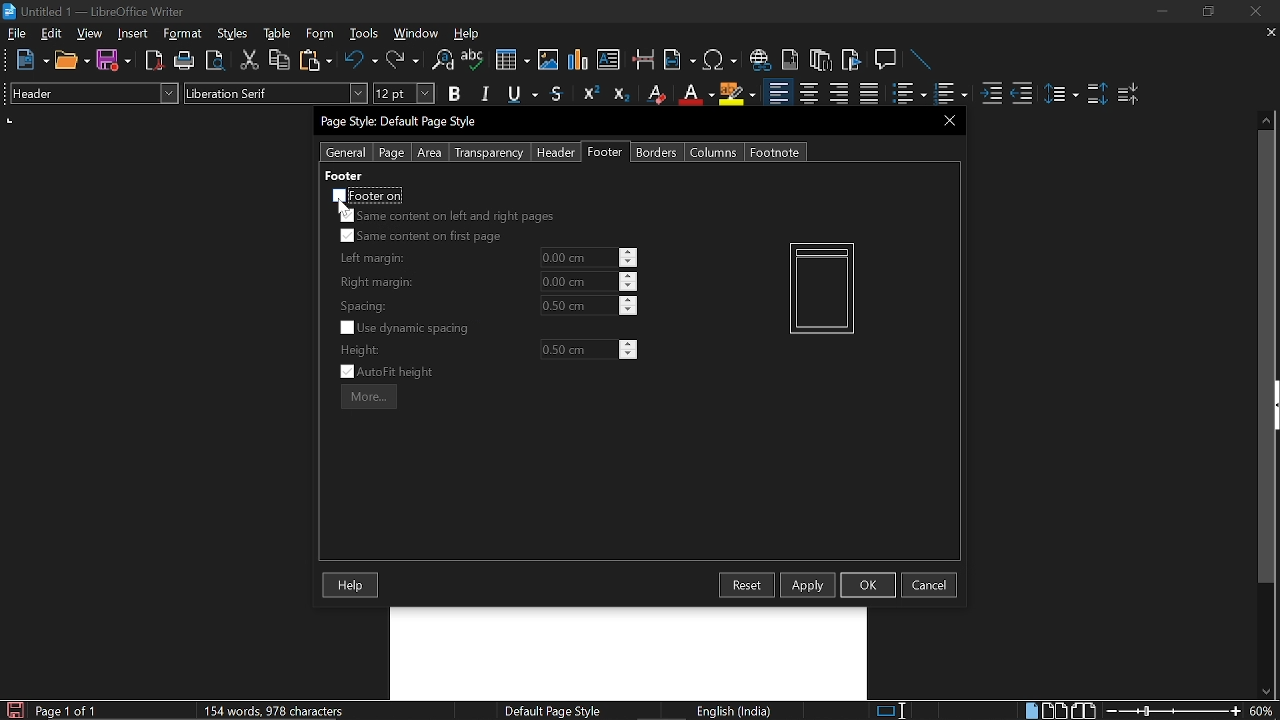 The width and height of the screenshot is (1280, 720). I want to click on Copy, so click(278, 60).